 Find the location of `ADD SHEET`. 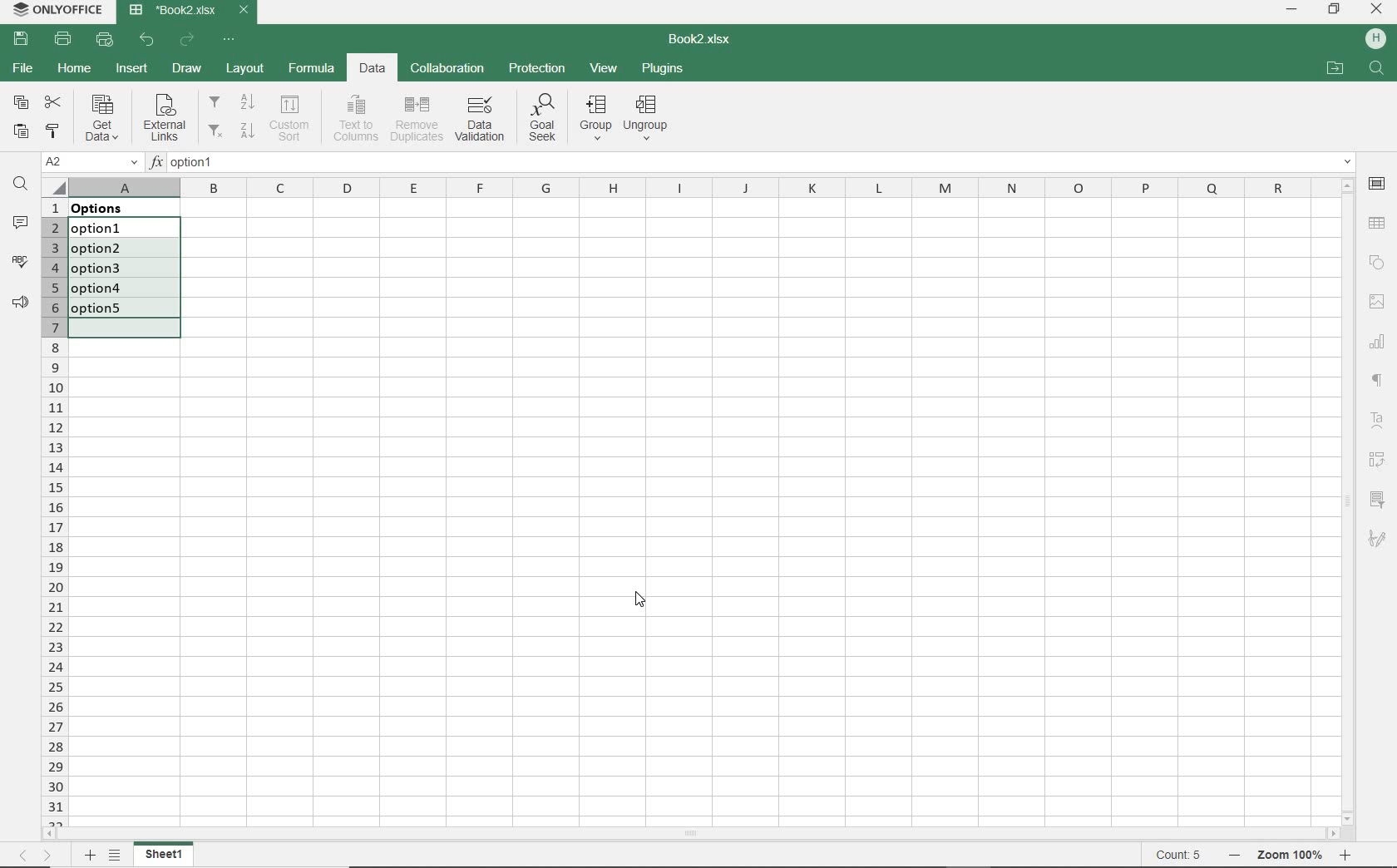

ADD SHEET is located at coordinates (90, 856).